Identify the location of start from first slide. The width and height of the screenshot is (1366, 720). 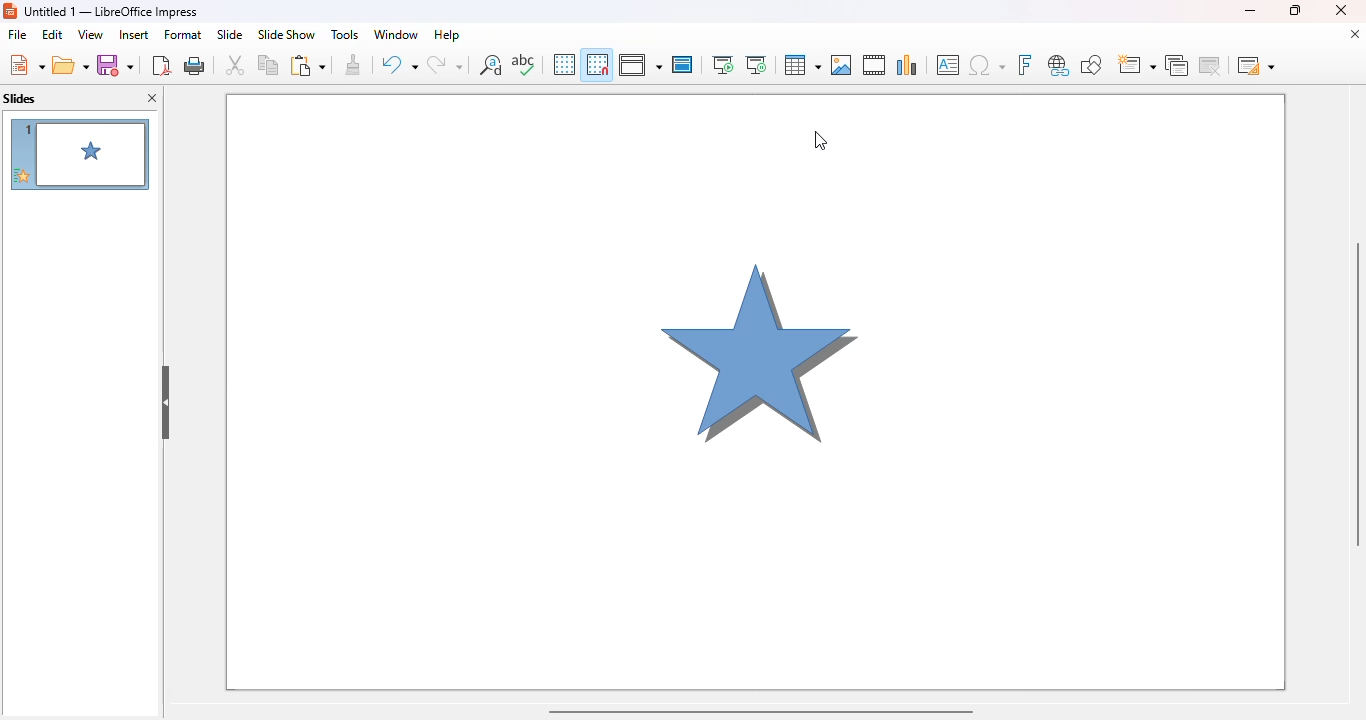
(724, 65).